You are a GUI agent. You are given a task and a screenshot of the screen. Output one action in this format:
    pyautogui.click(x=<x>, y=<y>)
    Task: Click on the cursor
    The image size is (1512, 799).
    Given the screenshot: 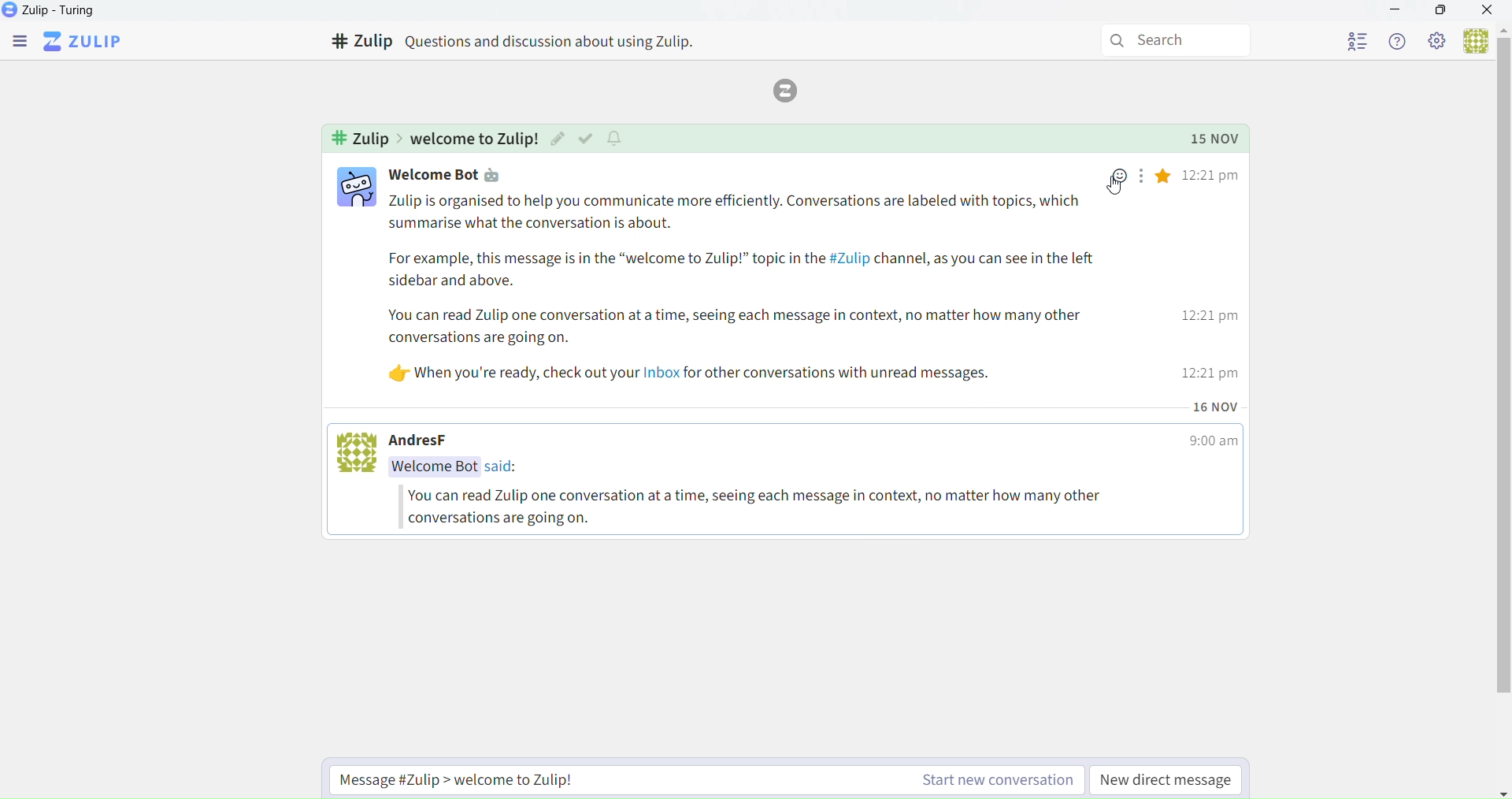 What is the action you would take?
    pyautogui.click(x=1115, y=188)
    